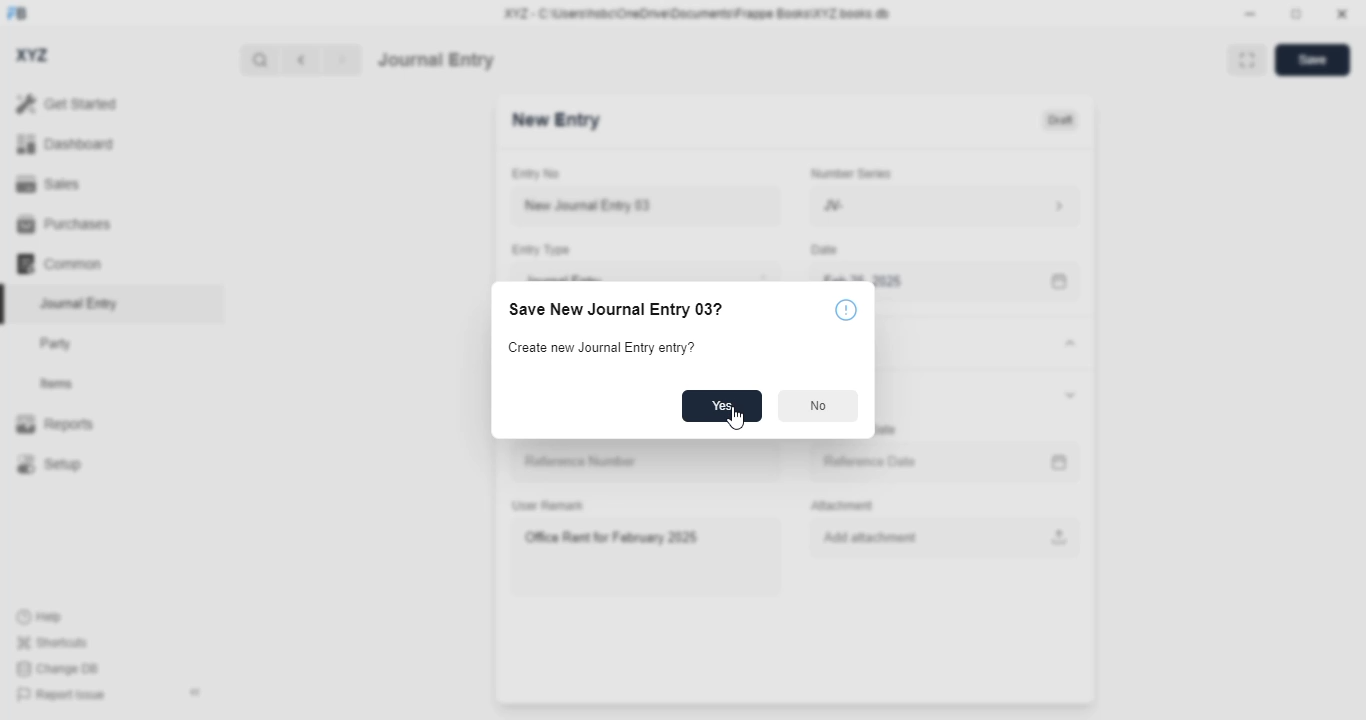 The width and height of the screenshot is (1366, 720). I want to click on reference number, so click(648, 462).